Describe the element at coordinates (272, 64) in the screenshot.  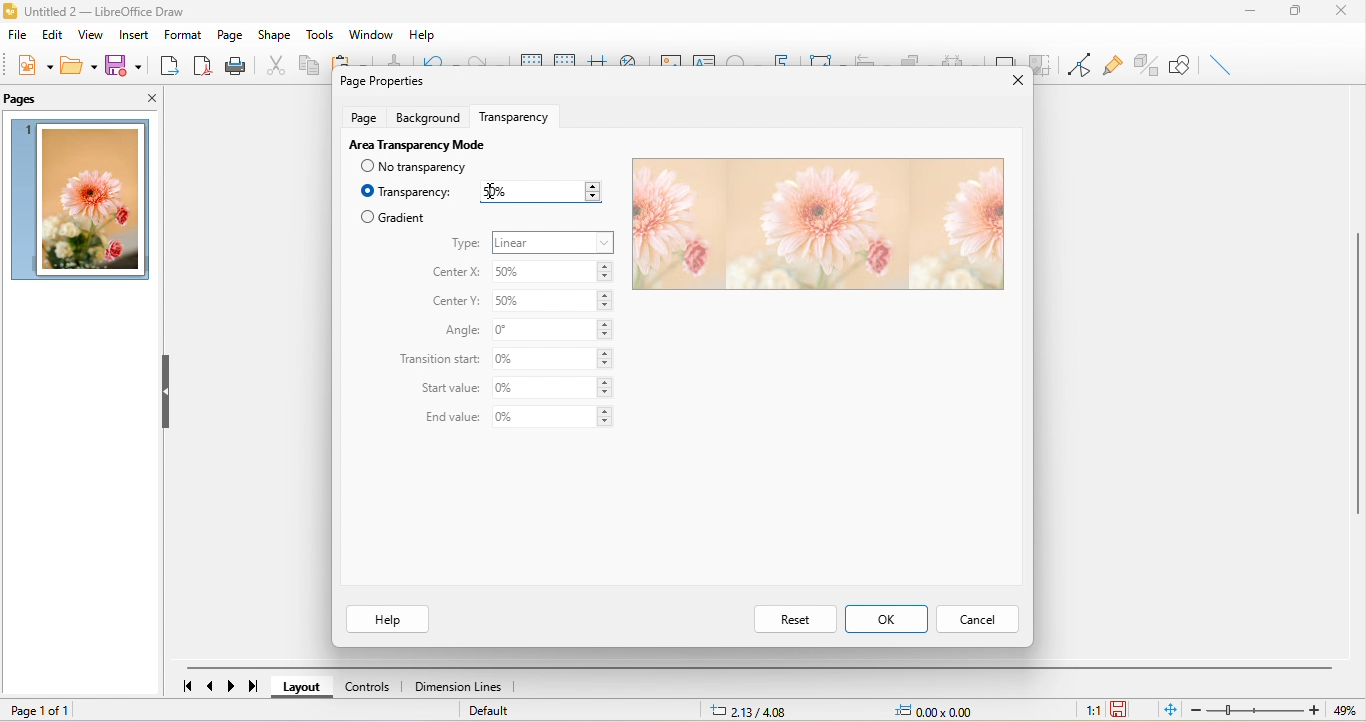
I see `cut` at that location.